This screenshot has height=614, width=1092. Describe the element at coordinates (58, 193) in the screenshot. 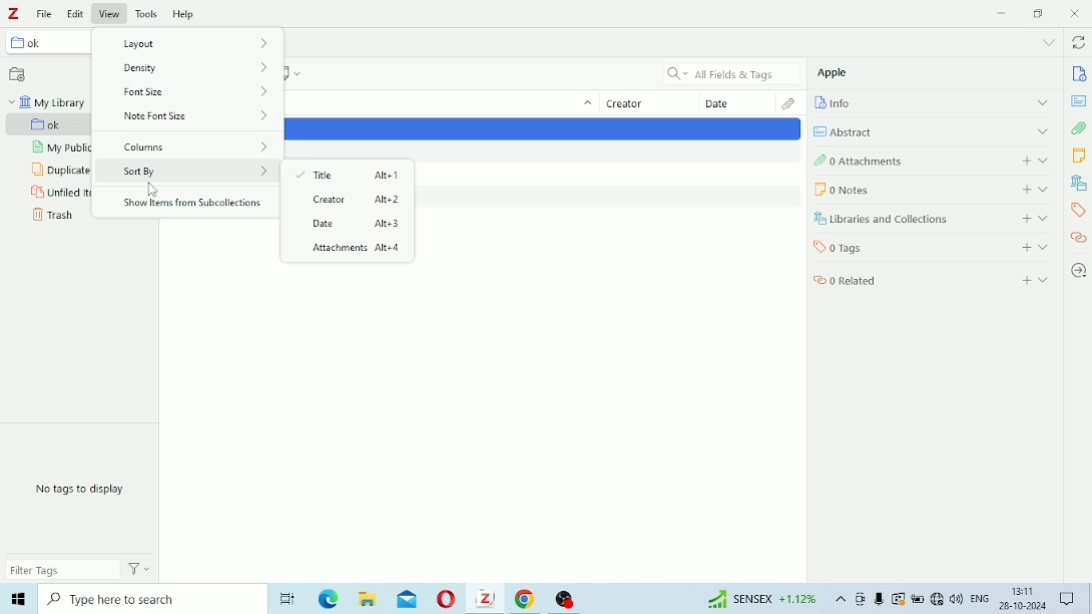

I see `Unfiled items.` at that location.